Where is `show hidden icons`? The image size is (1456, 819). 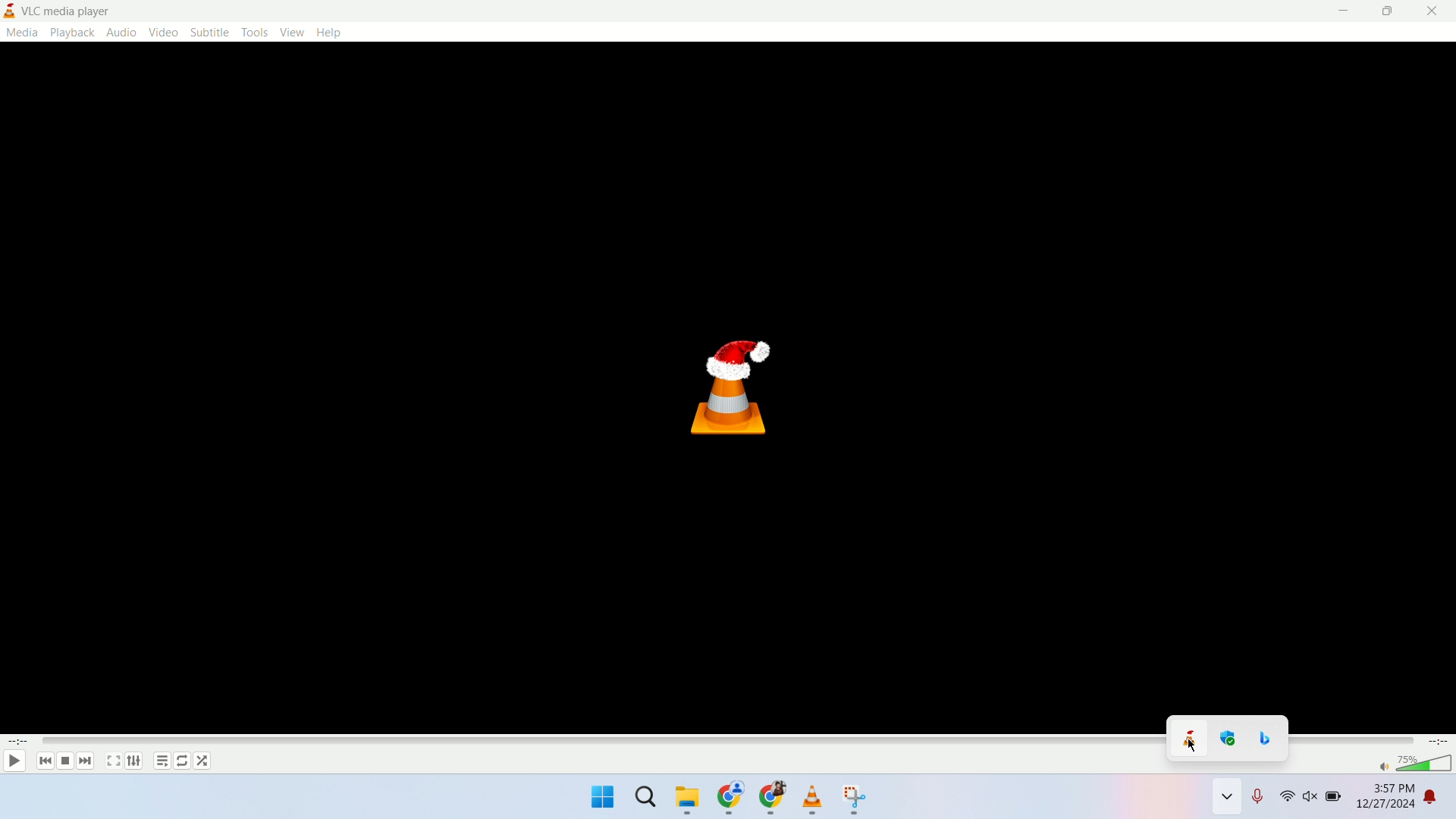
show hidden icons is located at coordinates (1227, 800).